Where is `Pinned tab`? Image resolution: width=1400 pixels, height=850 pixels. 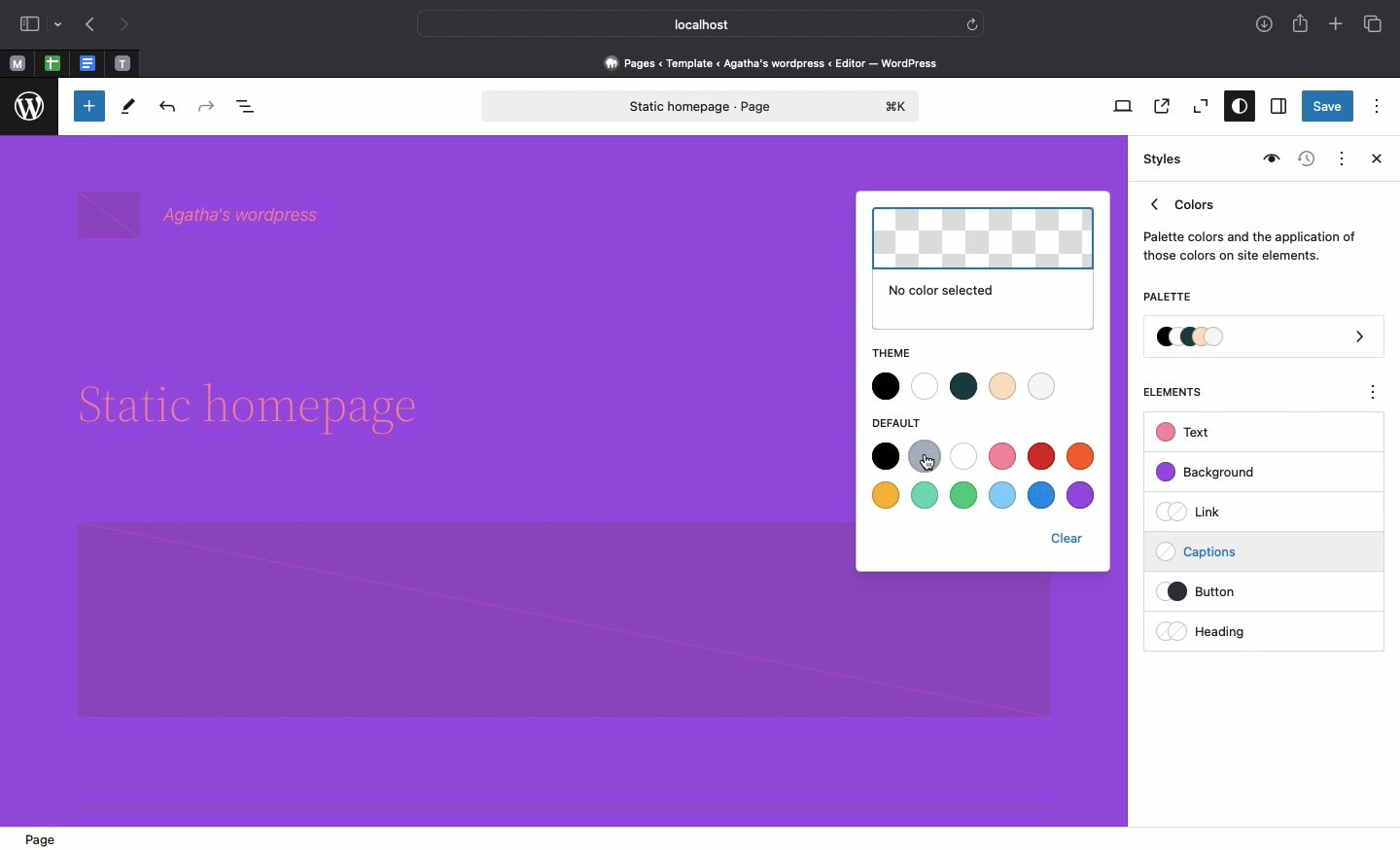 Pinned tab is located at coordinates (89, 64).